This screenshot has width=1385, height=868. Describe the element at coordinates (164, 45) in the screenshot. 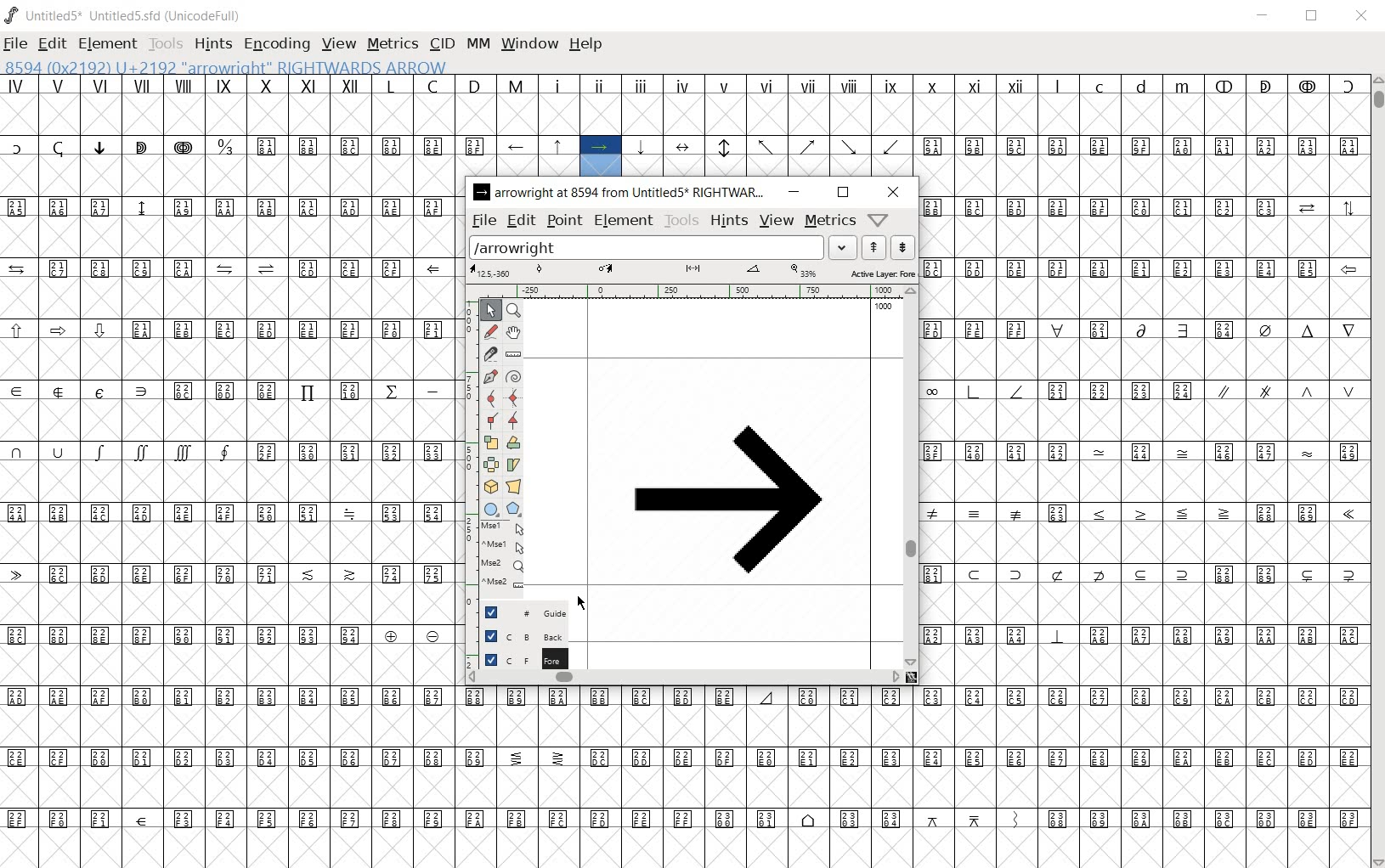

I see `TOOLS` at that location.